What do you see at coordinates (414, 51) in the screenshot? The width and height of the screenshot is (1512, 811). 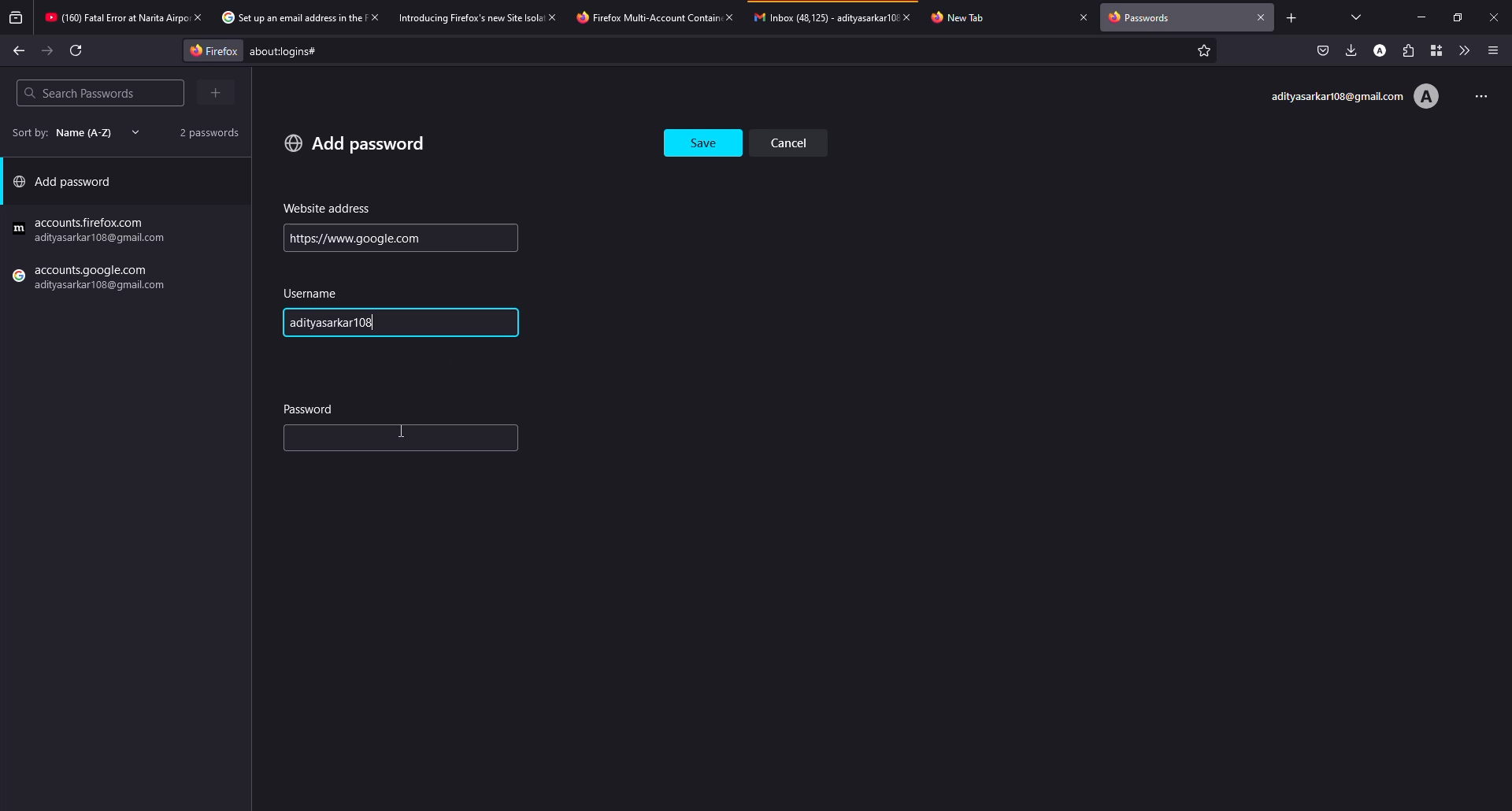 I see `about` at bounding box center [414, 51].